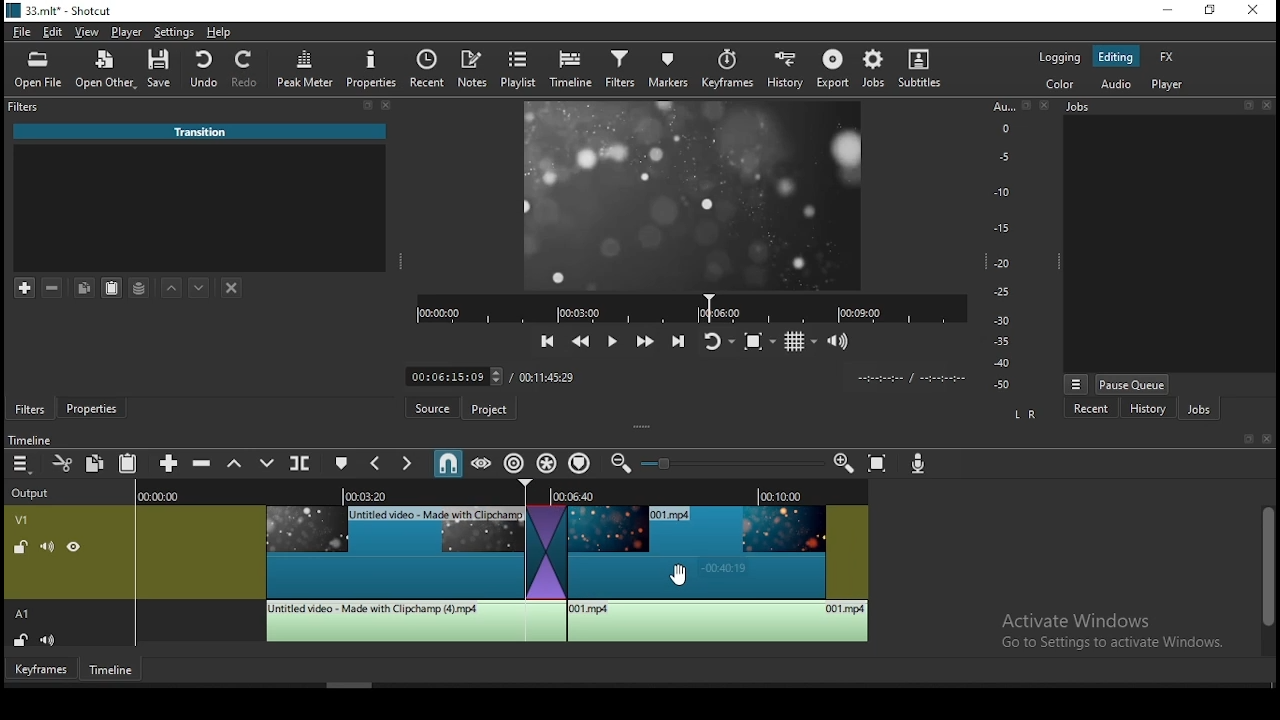 The height and width of the screenshot is (720, 1280). What do you see at coordinates (1167, 58) in the screenshot?
I see `fx` at bounding box center [1167, 58].